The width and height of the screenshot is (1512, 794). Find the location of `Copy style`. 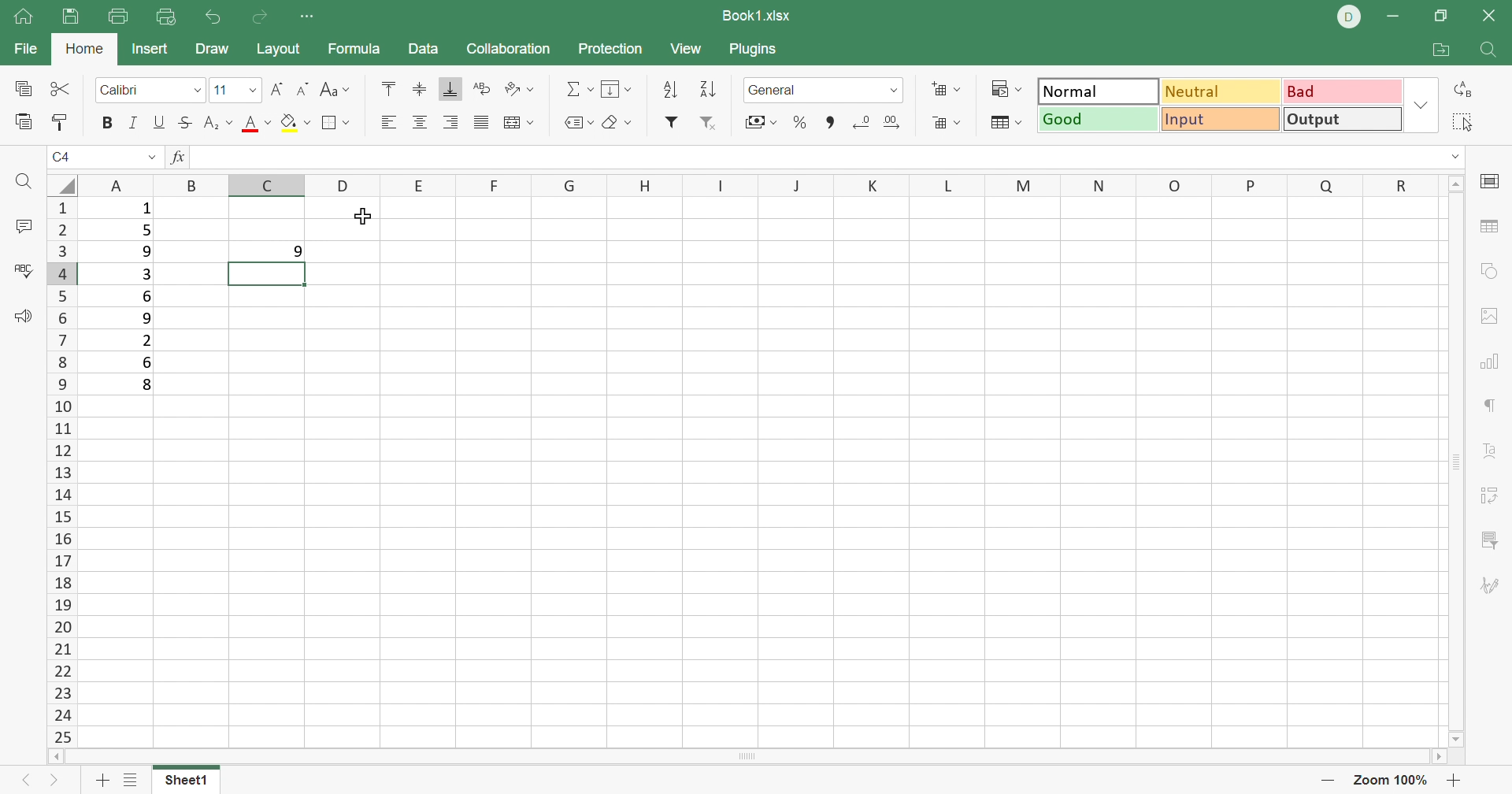

Copy style is located at coordinates (60, 121).